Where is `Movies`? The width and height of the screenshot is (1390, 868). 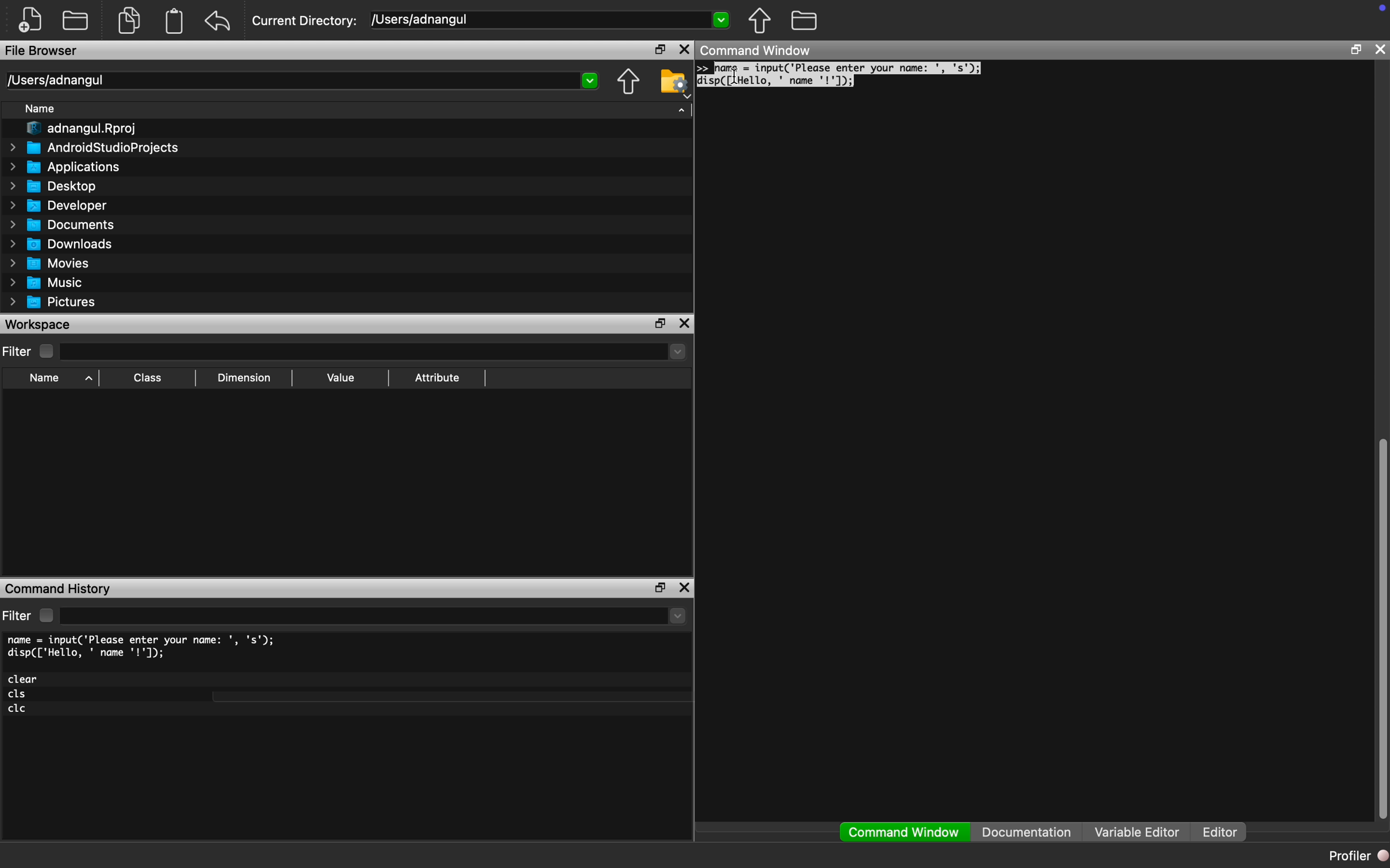
Movies is located at coordinates (47, 263).